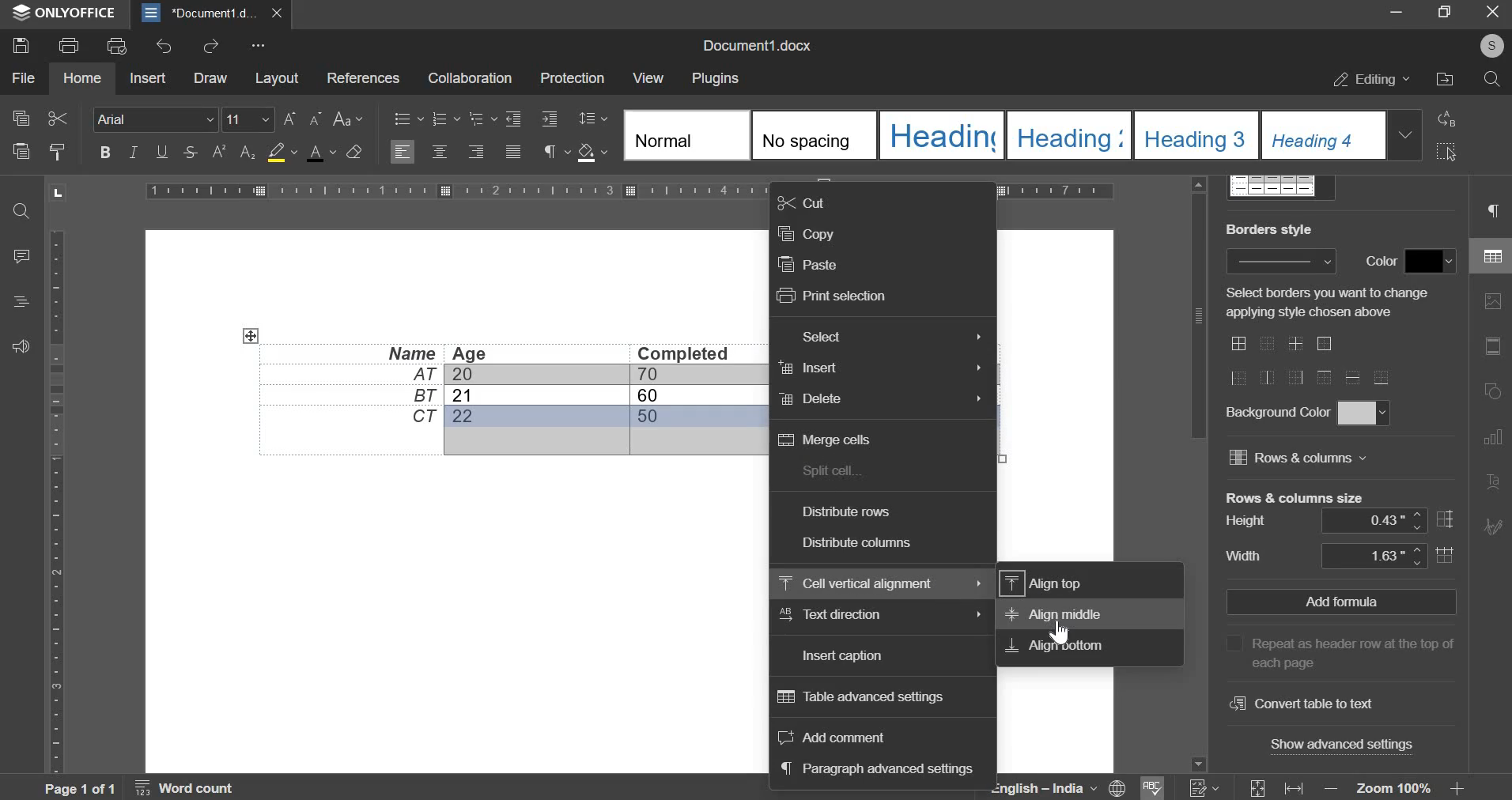 The image size is (1512, 800). I want to click on maximize, so click(1443, 11).